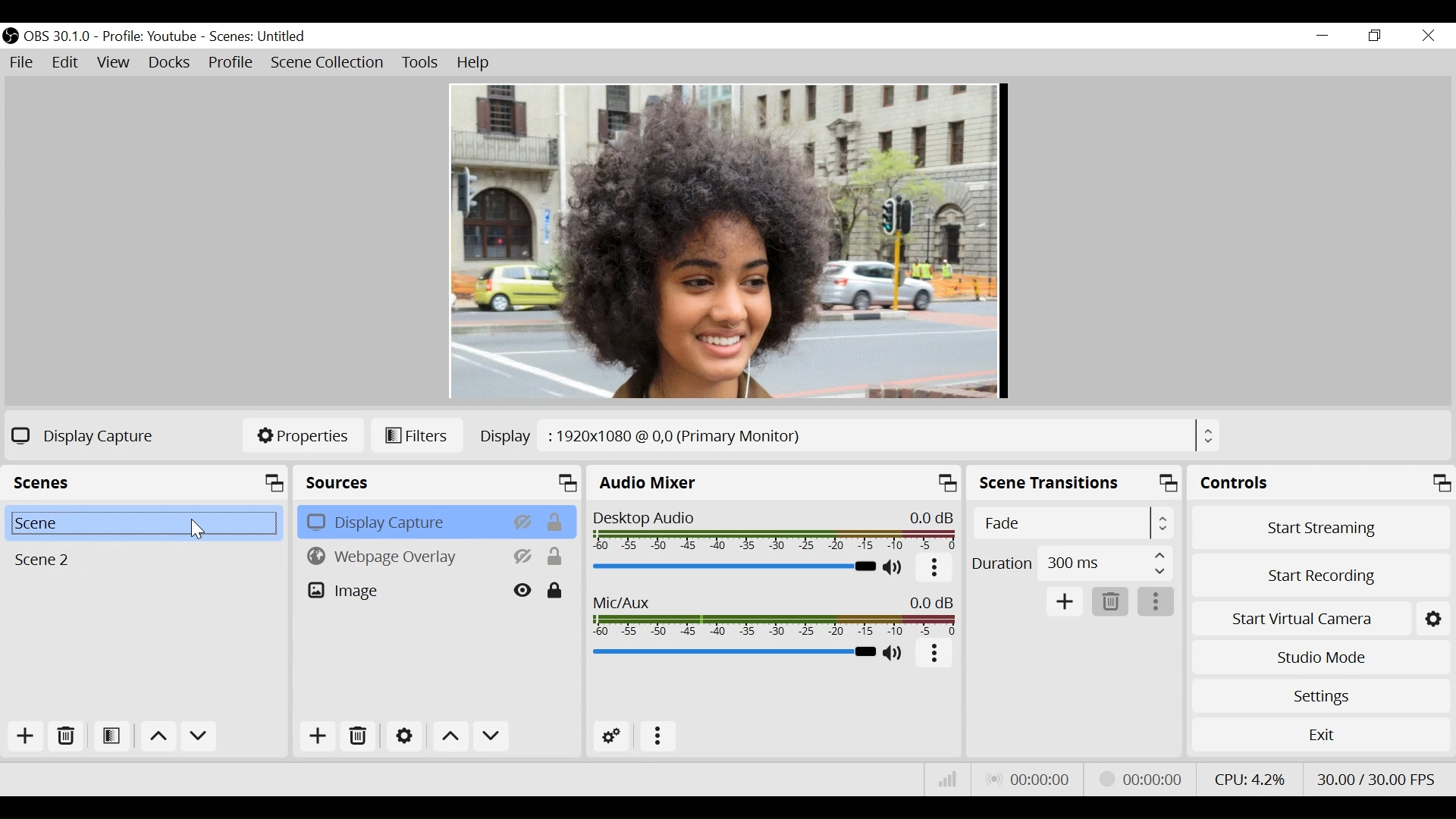 This screenshot has height=819, width=1456. I want to click on Sources, so click(439, 482).